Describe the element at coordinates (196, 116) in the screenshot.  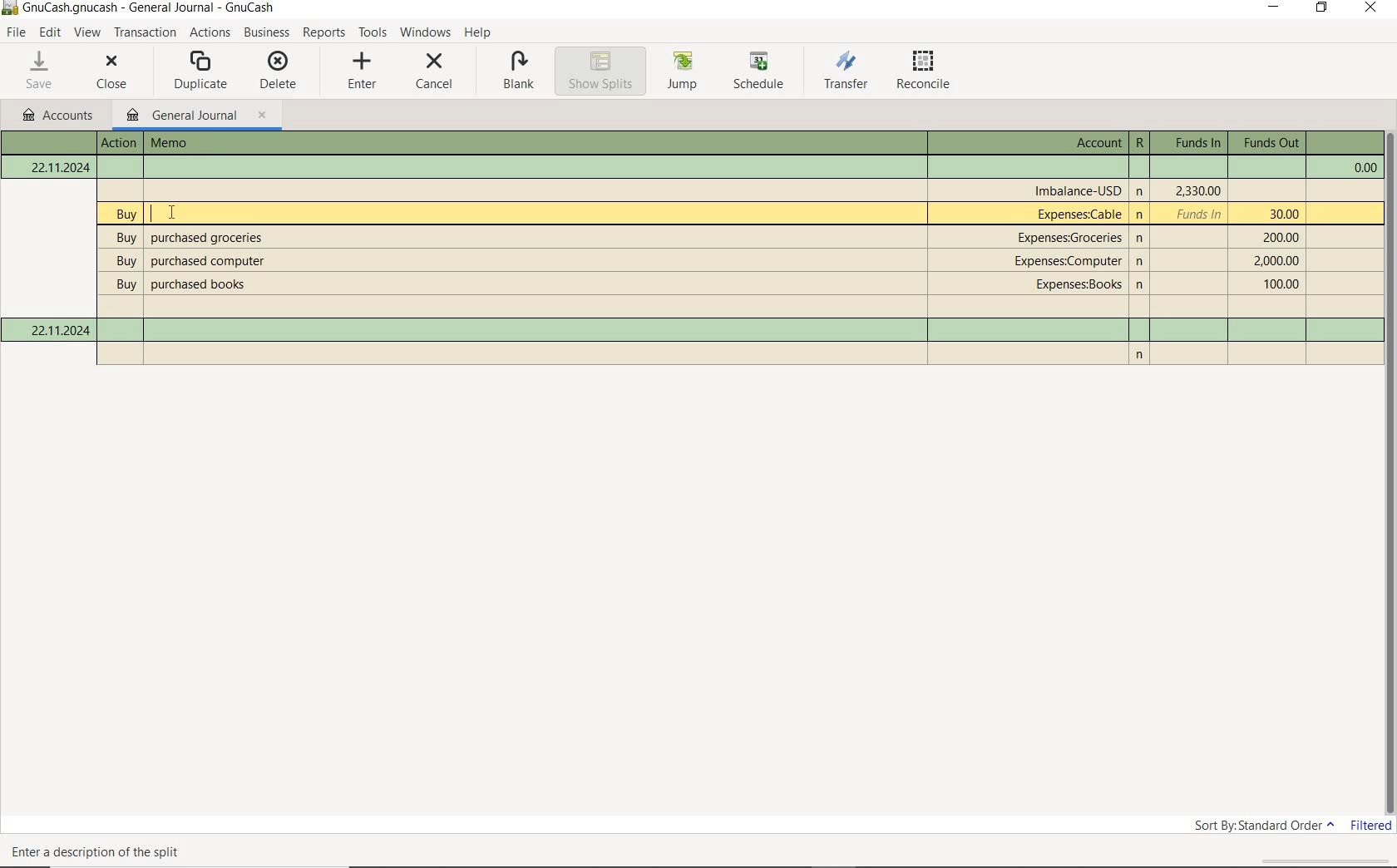
I see `general journal` at that location.